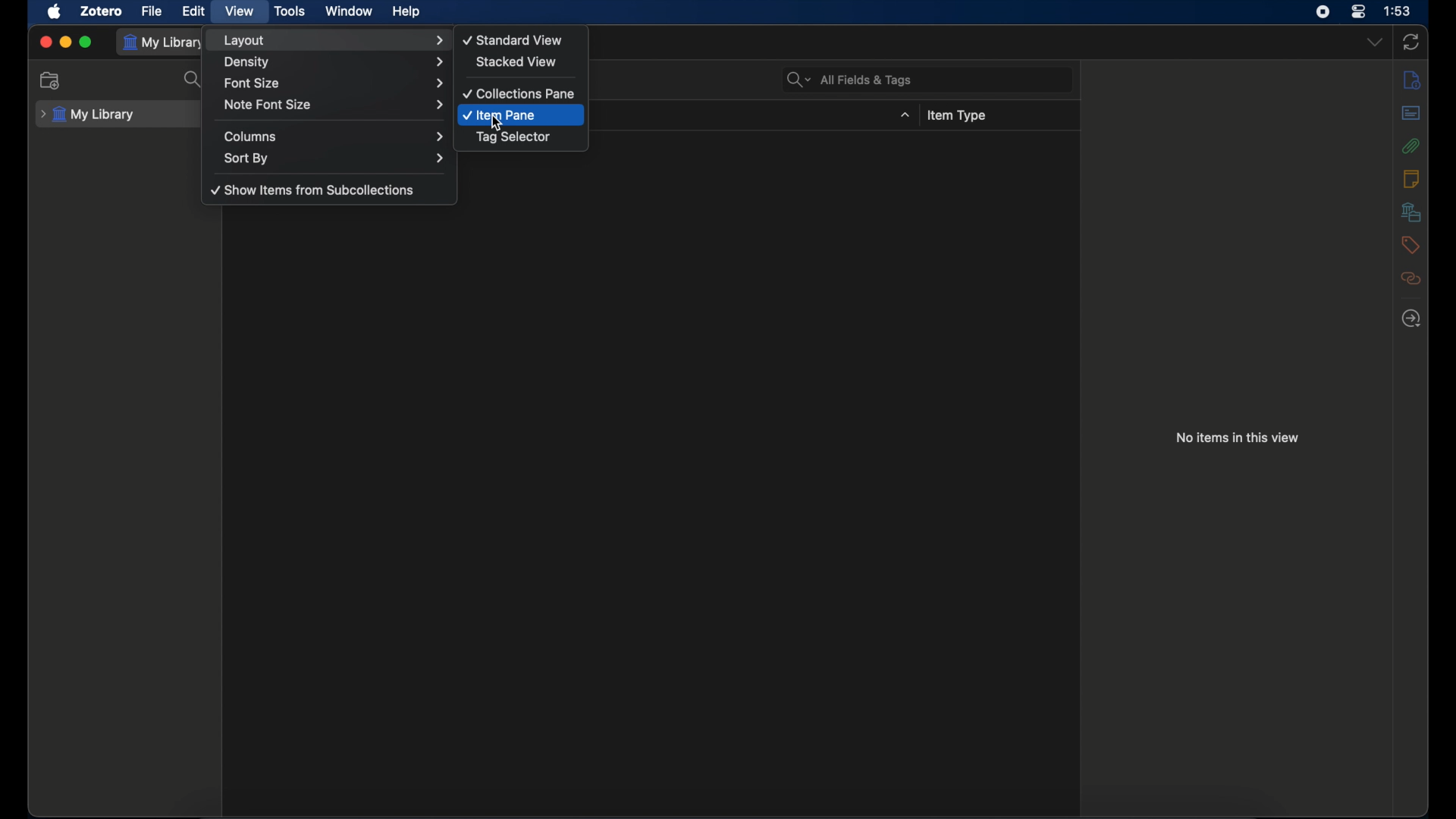  What do you see at coordinates (55, 12) in the screenshot?
I see `apple icon` at bounding box center [55, 12].